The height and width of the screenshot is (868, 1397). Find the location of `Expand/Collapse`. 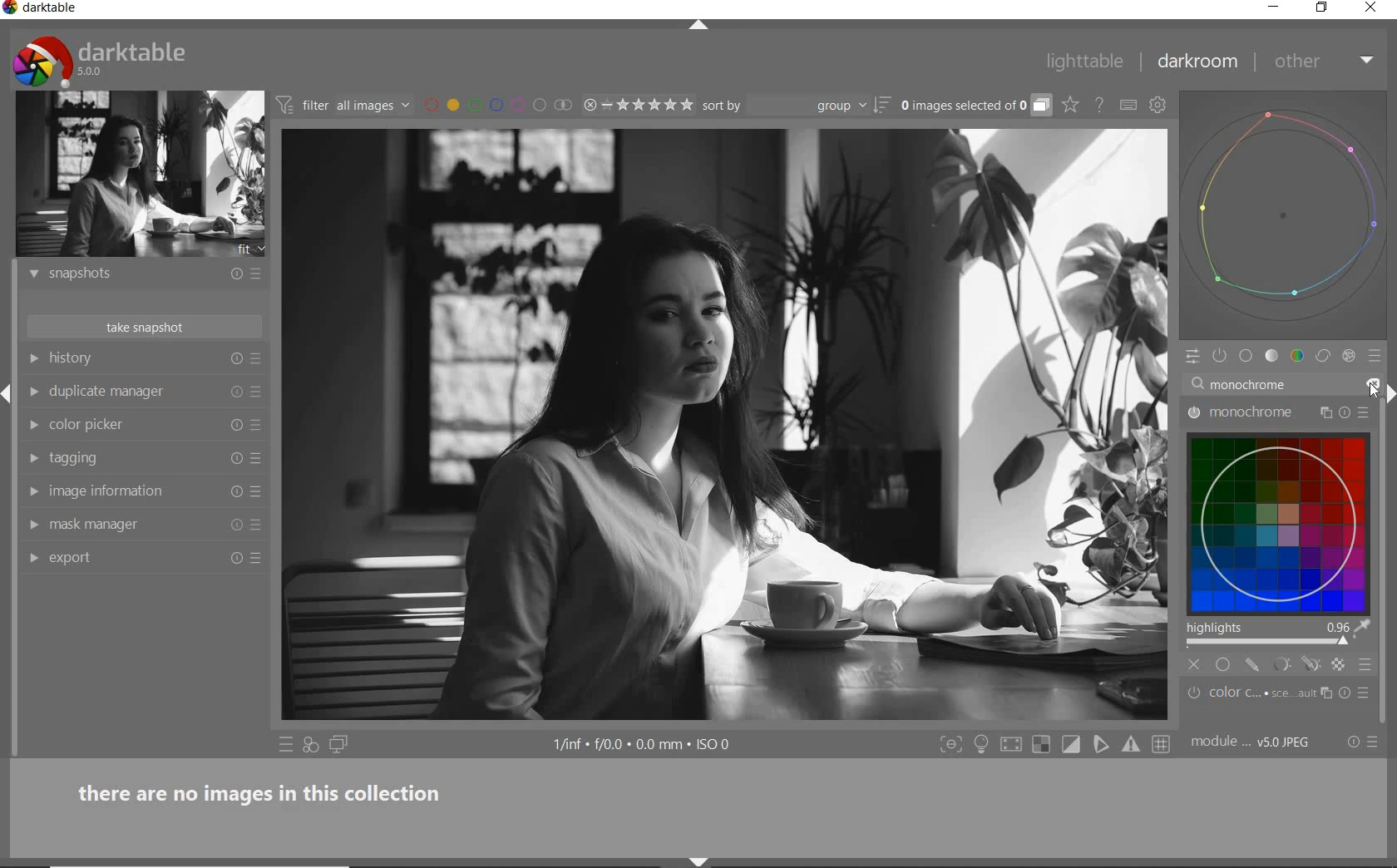

Expand/Collapse is located at coordinates (8, 389).